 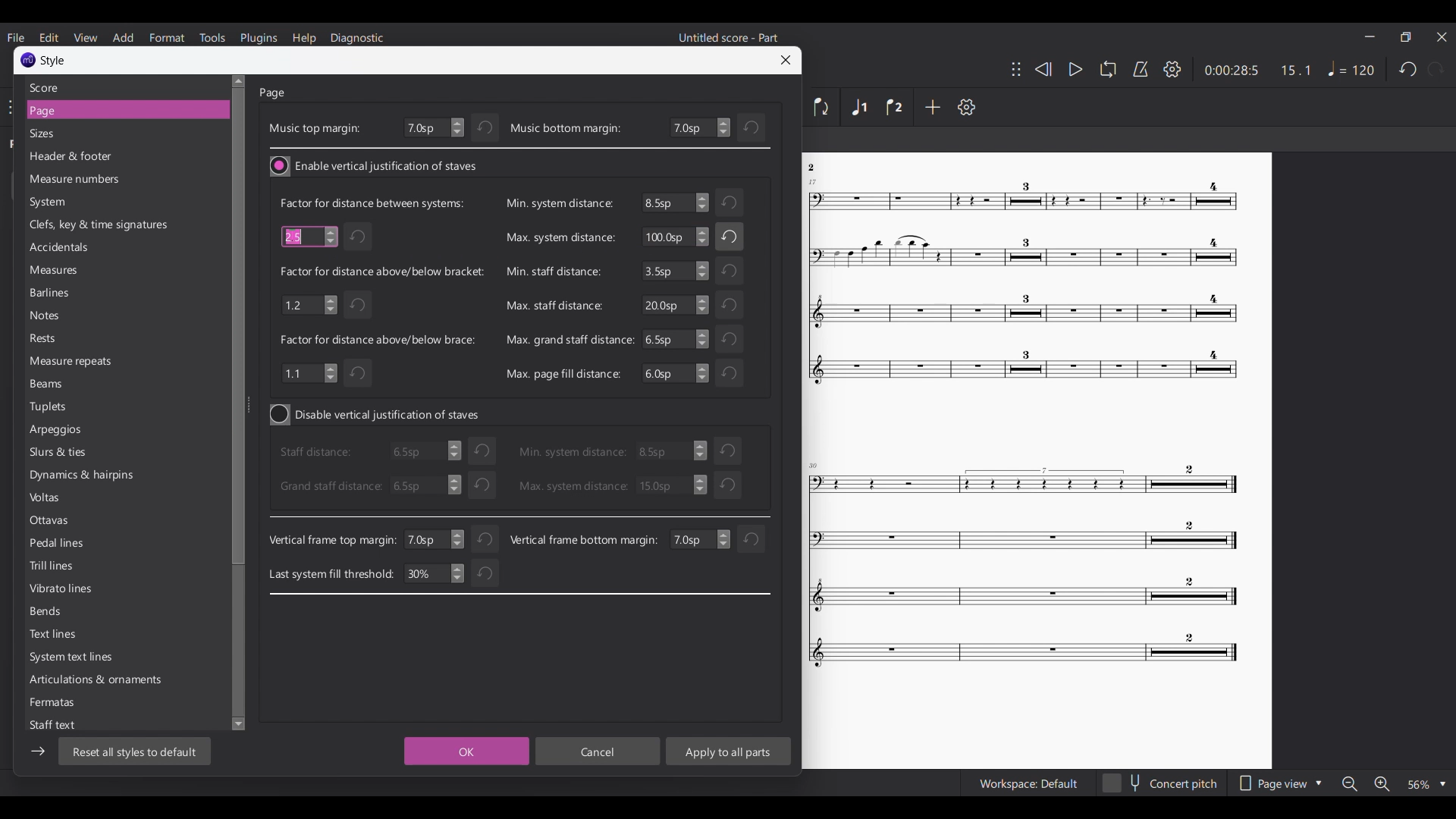 What do you see at coordinates (816, 168) in the screenshot?
I see `` at bounding box center [816, 168].